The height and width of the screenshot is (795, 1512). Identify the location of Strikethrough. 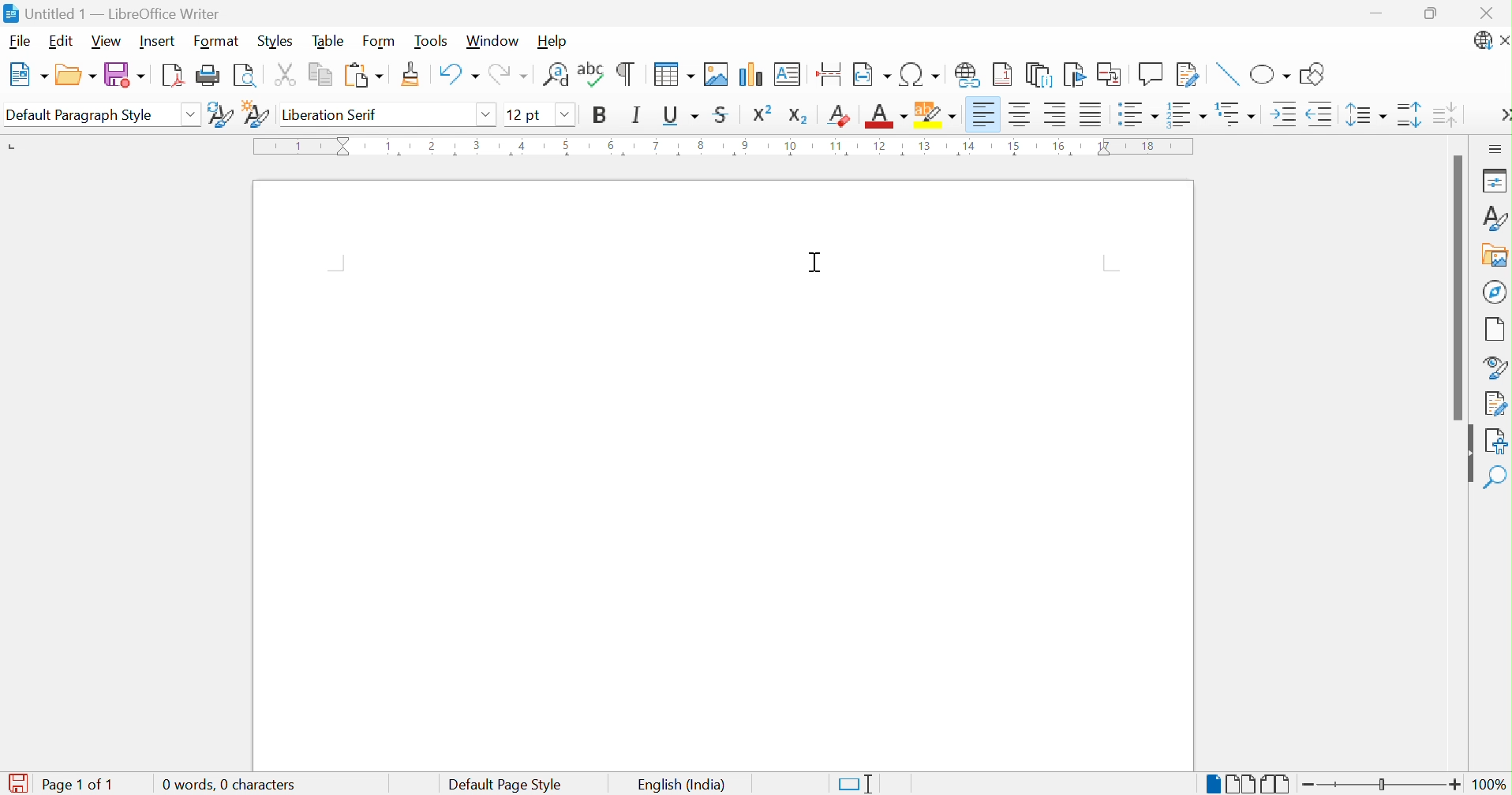
(722, 114).